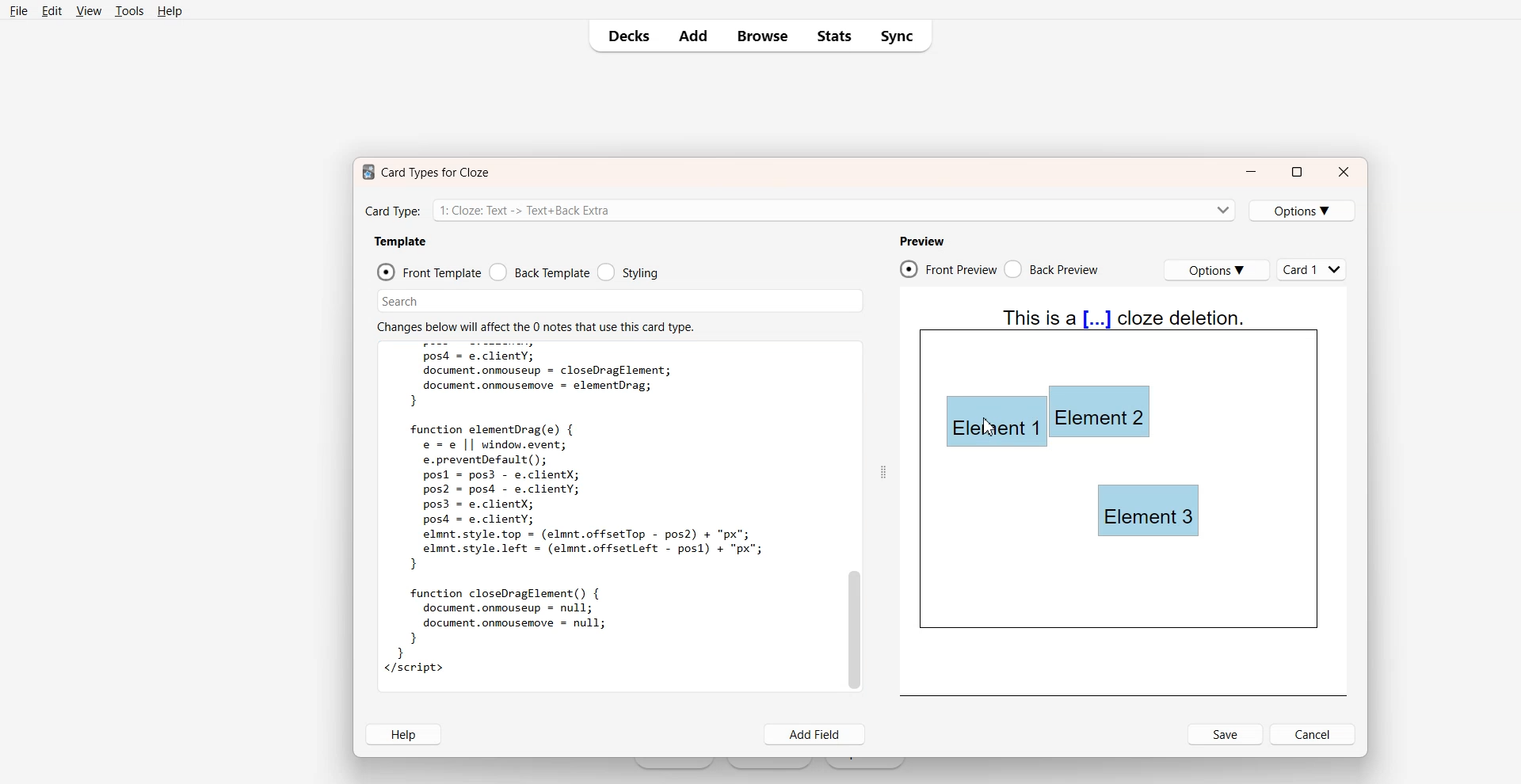  I want to click on Cards, so click(1313, 269).